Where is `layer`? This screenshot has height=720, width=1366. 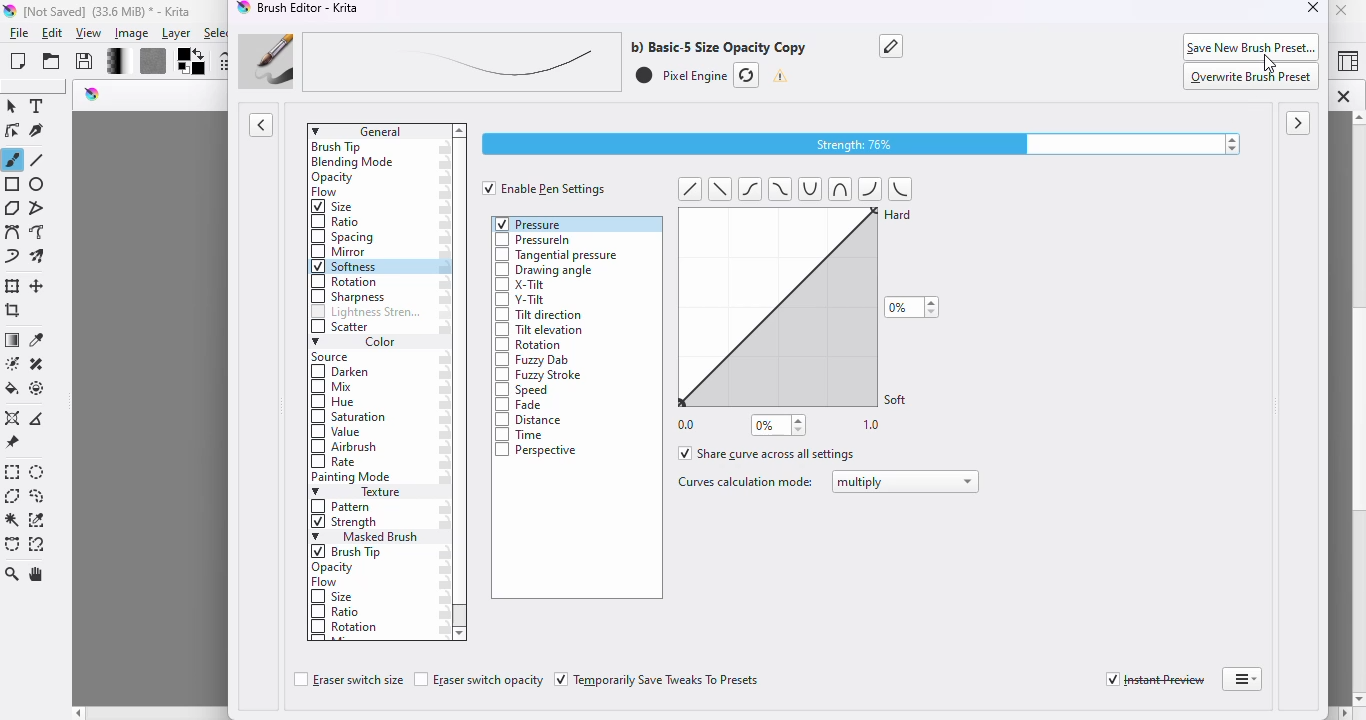
layer is located at coordinates (176, 34).